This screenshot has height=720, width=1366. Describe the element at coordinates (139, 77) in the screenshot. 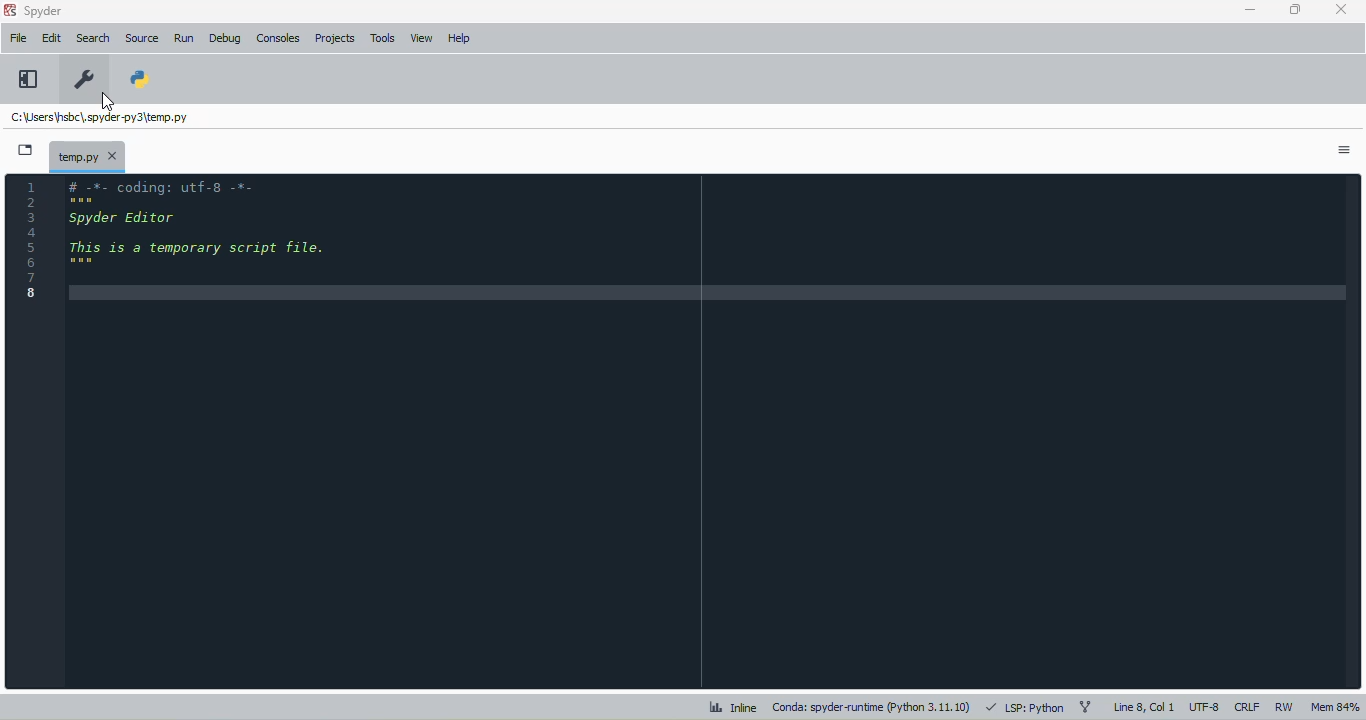

I see `PYTHONPATH manager` at that location.